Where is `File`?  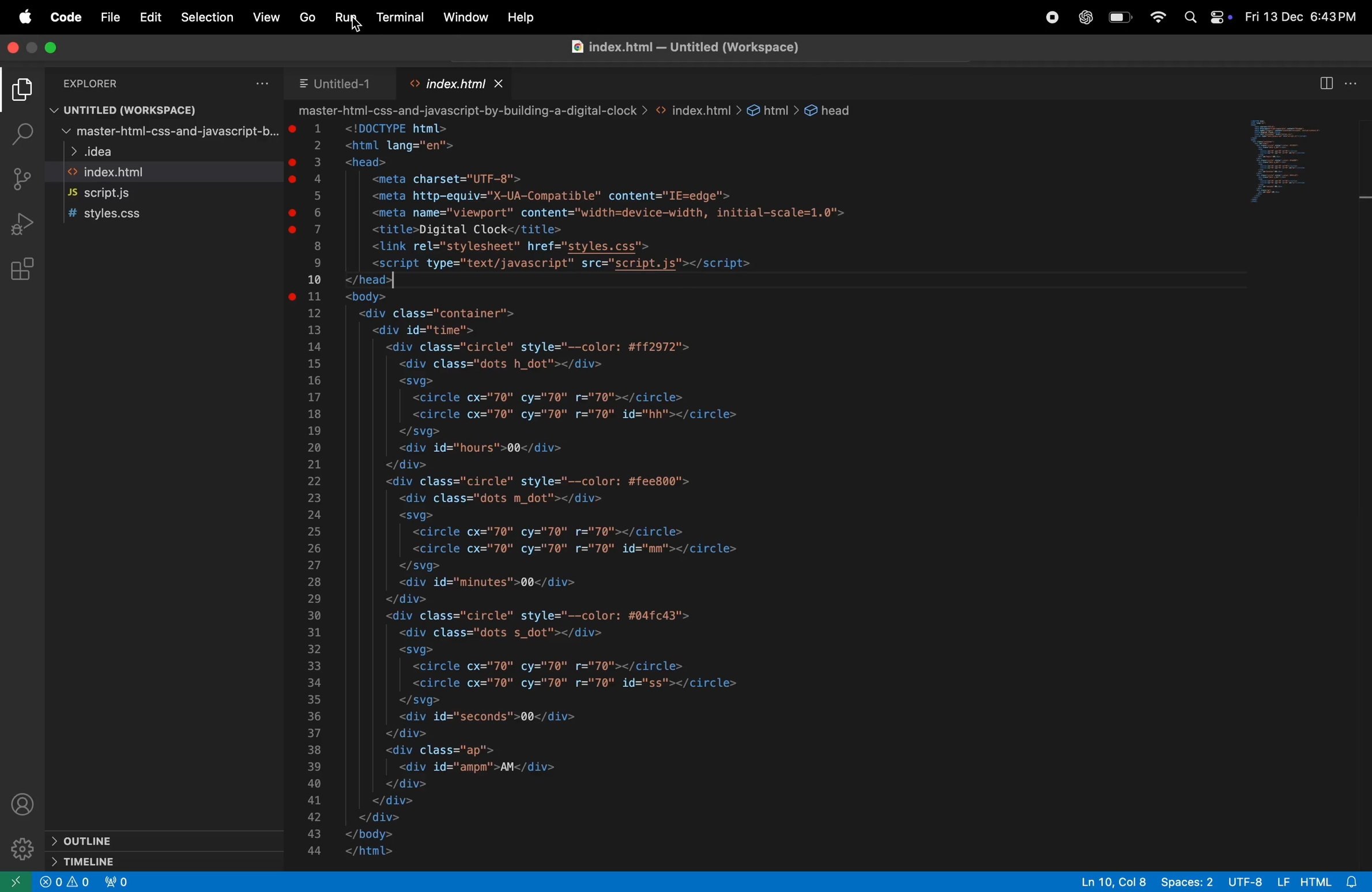 File is located at coordinates (109, 16).